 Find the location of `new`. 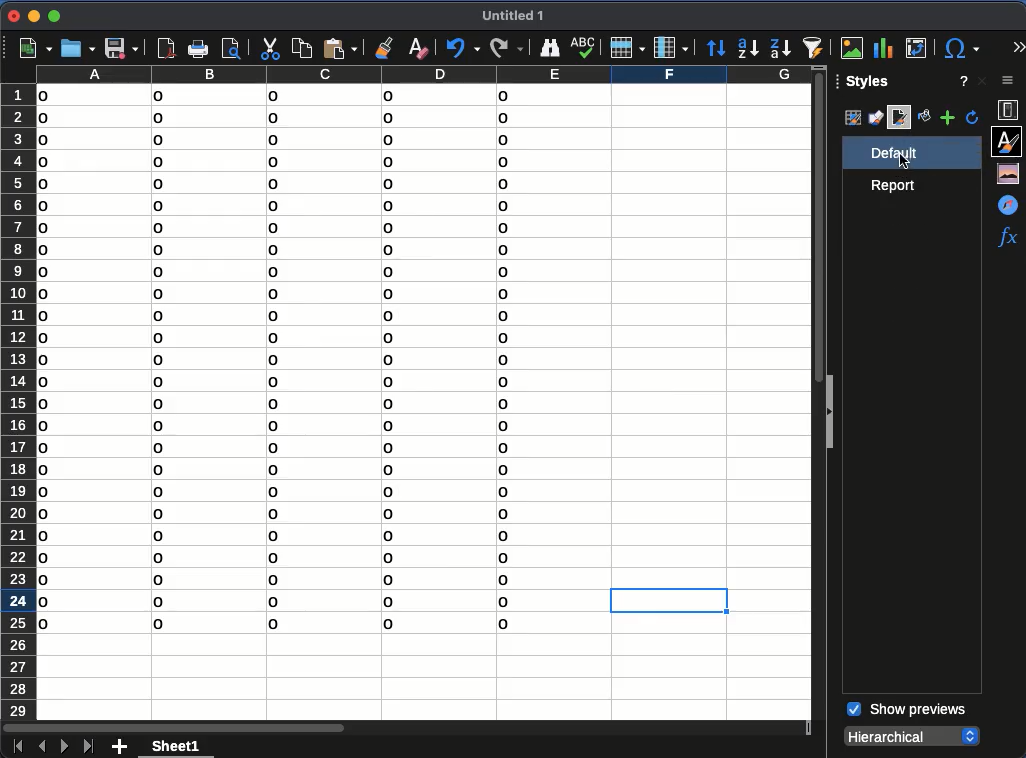

new is located at coordinates (34, 49).